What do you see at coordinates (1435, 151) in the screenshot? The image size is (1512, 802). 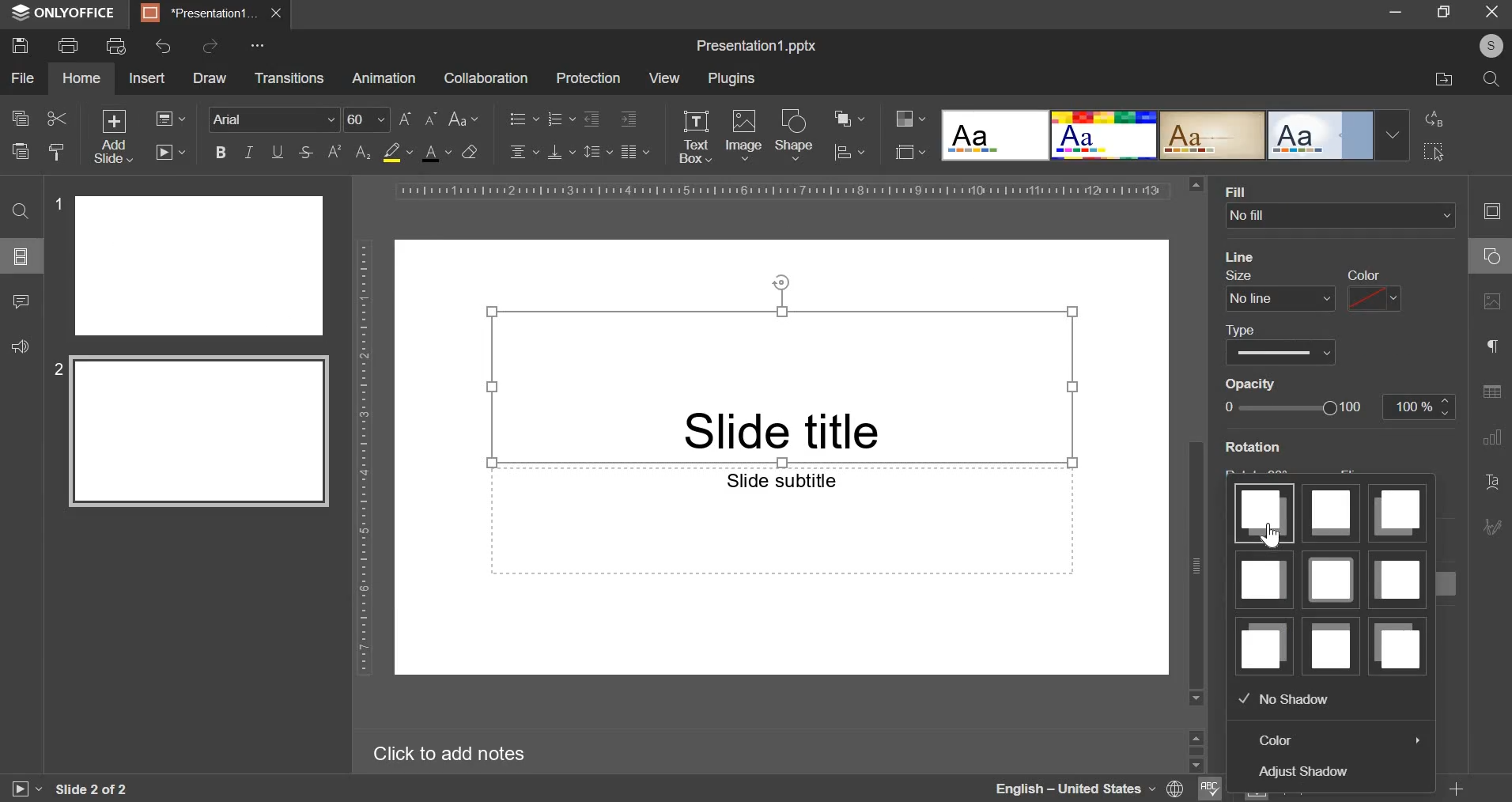 I see `select` at bounding box center [1435, 151].